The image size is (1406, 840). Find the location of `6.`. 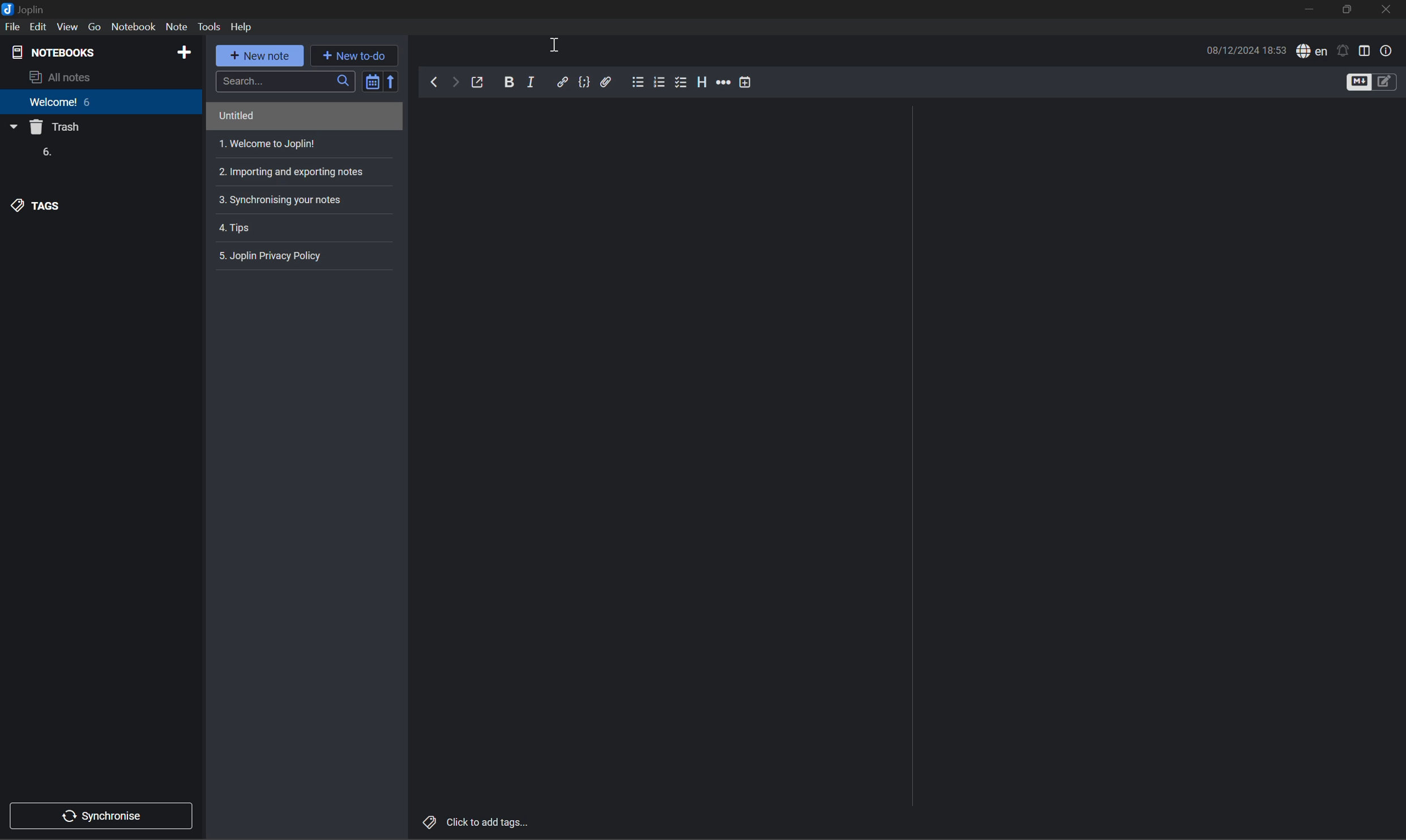

6. is located at coordinates (45, 153).